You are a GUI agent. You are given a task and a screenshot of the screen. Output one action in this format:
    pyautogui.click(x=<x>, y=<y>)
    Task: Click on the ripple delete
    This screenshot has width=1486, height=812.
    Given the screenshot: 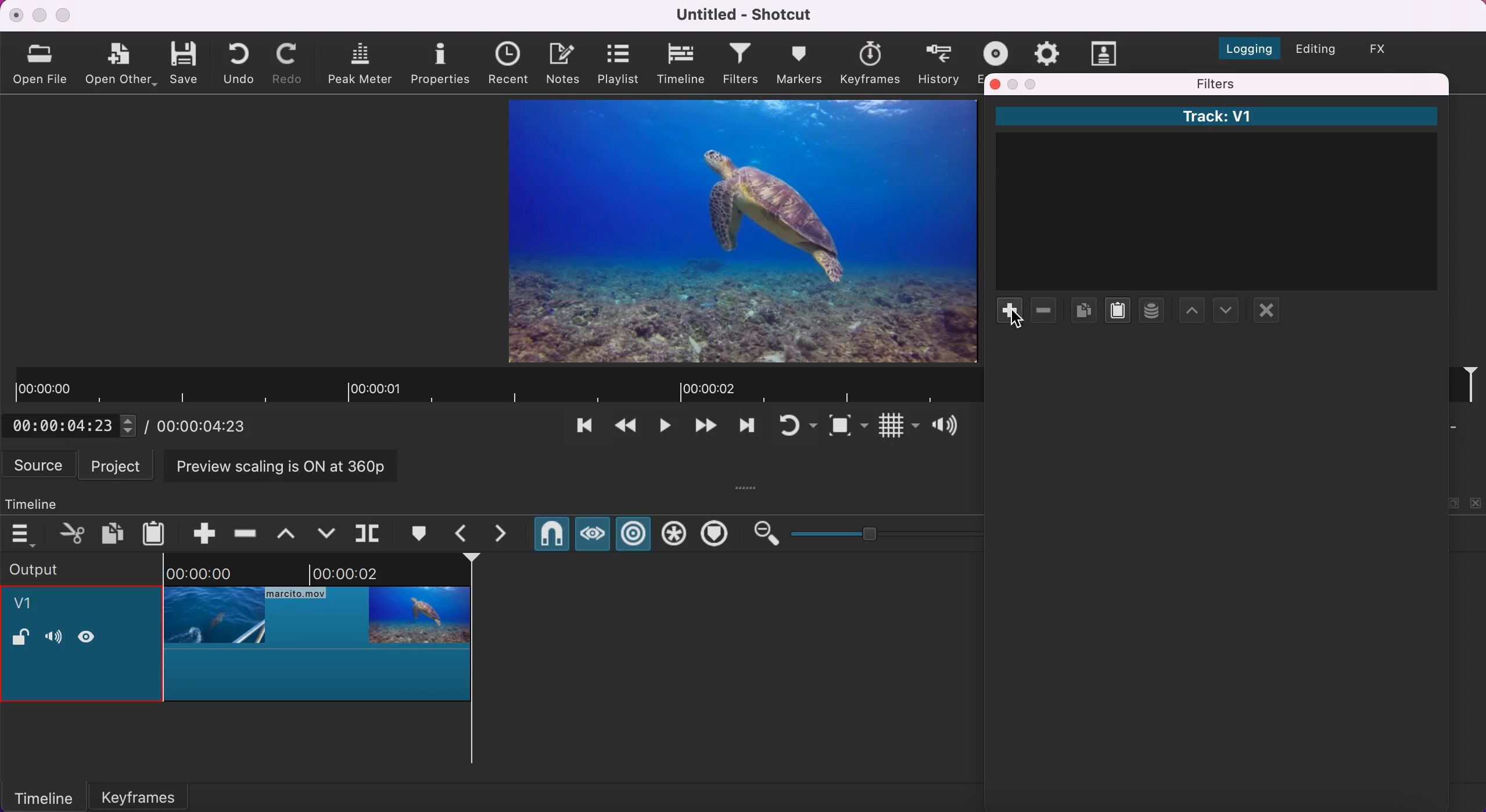 What is the action you would take?
    pyautogui.click(x=246, y=530)
    